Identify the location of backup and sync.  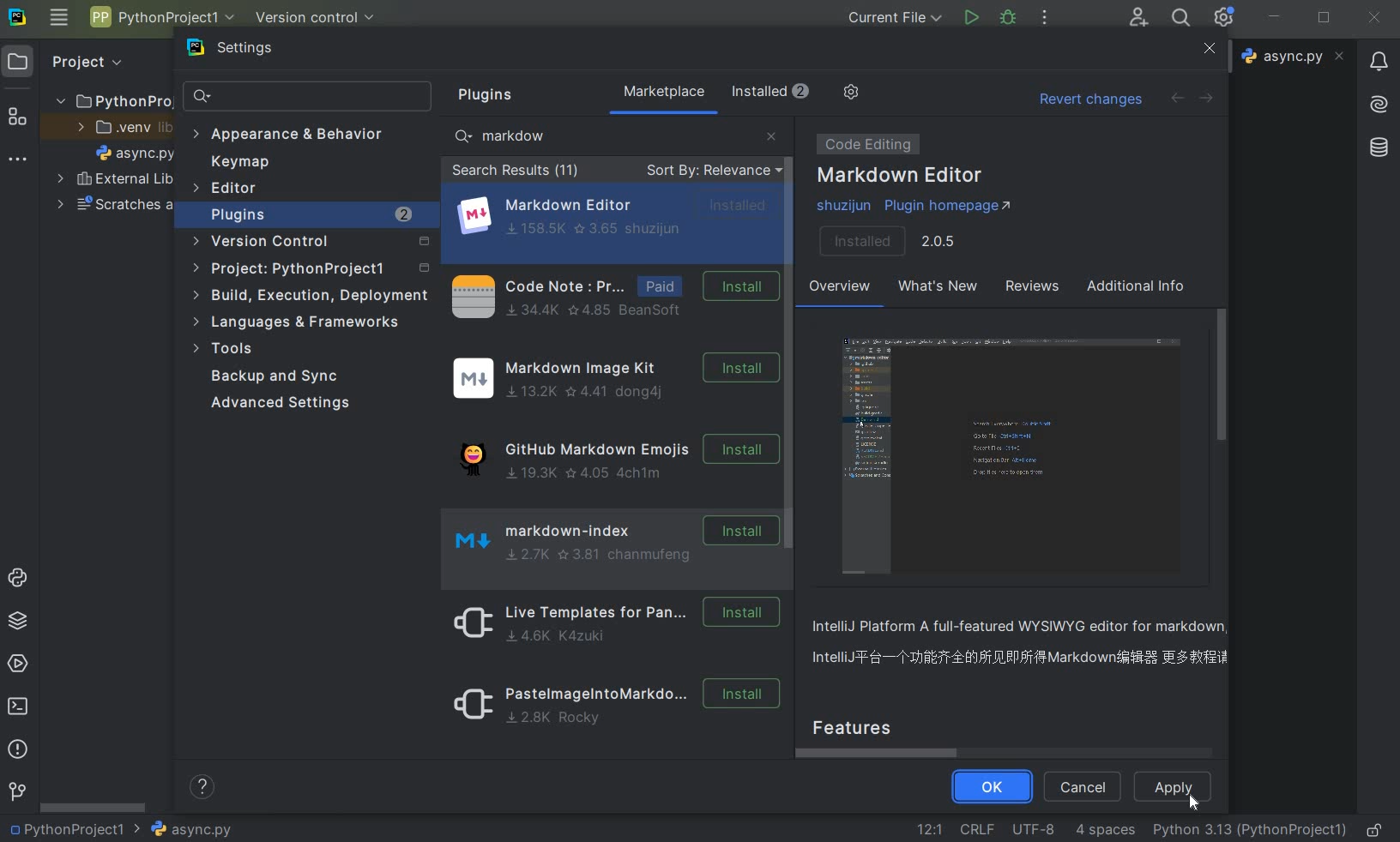
(287, 377).